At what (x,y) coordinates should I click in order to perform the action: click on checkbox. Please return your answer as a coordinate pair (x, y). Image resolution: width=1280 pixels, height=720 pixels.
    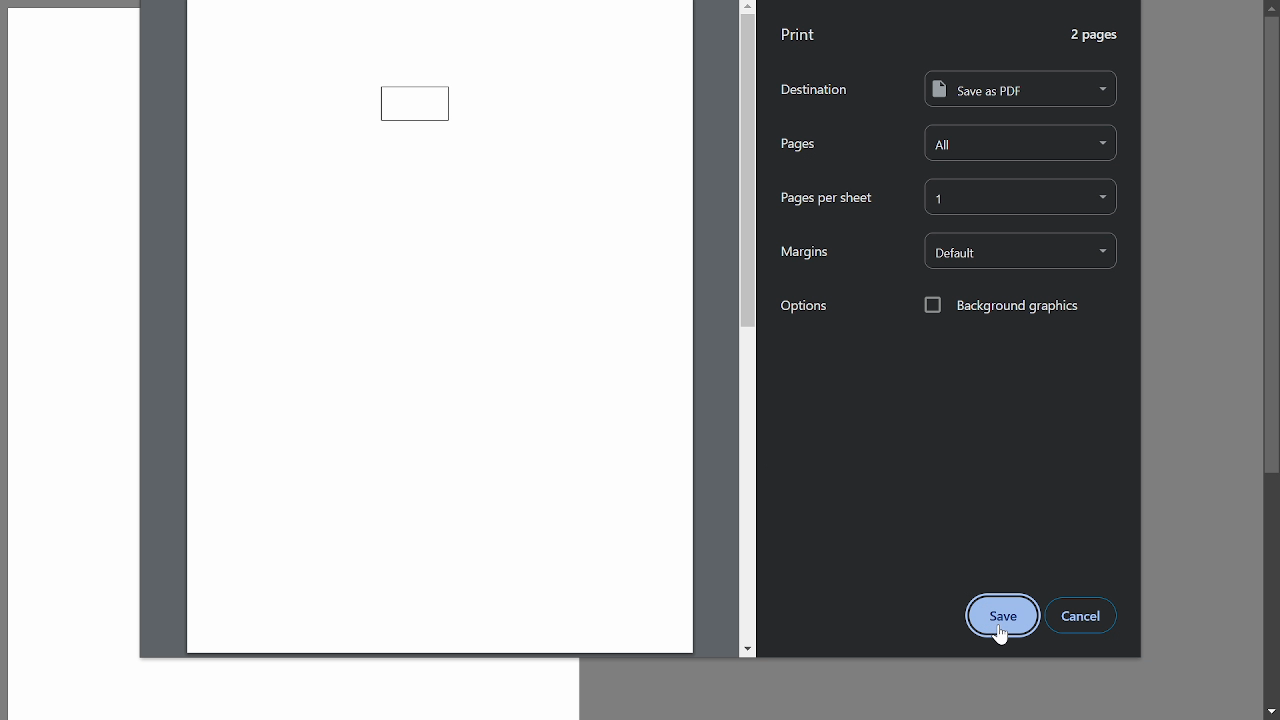
    Looking at the image, I should click on (926, 304).